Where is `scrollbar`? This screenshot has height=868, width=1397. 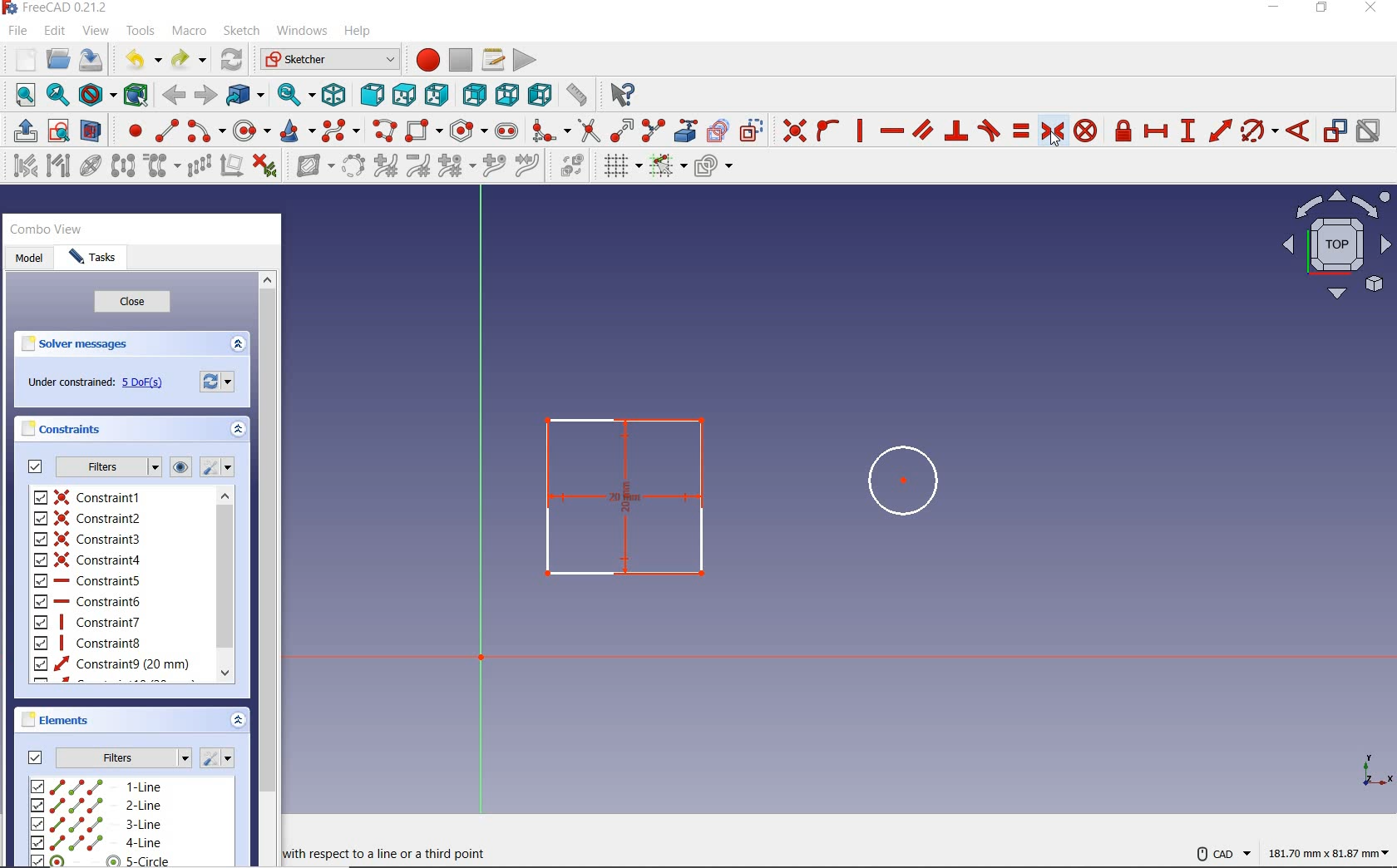
scrollbar is located at coordinates (225, 586).